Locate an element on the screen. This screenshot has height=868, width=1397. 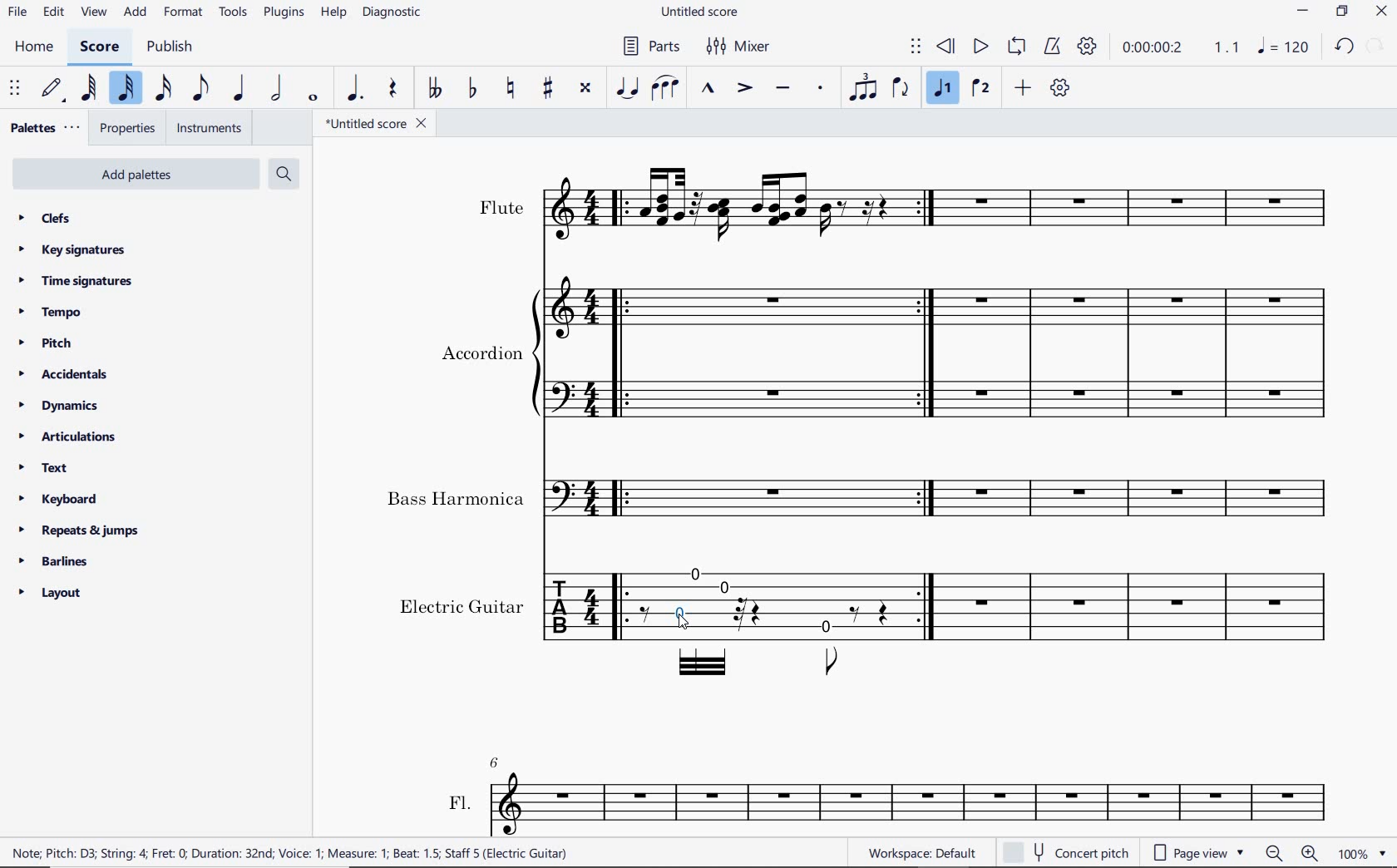
file is located at coordinates (18, 13).